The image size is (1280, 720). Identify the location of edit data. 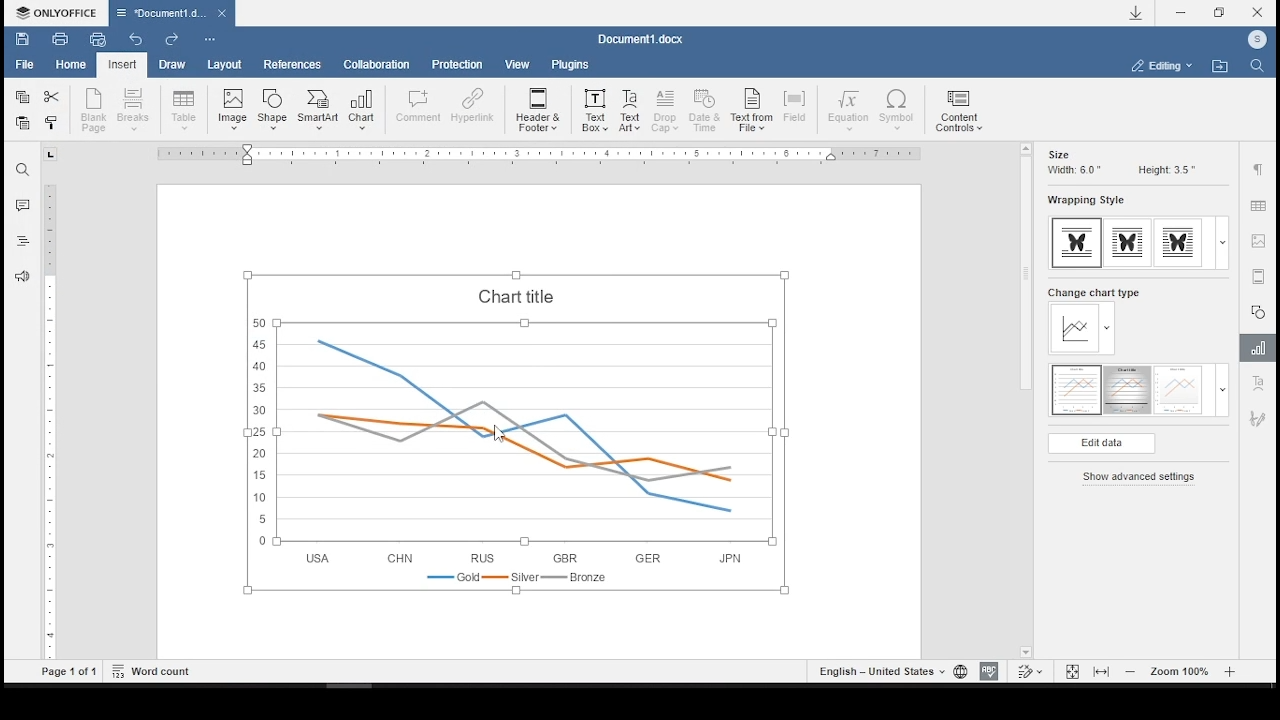
(1101, 444).